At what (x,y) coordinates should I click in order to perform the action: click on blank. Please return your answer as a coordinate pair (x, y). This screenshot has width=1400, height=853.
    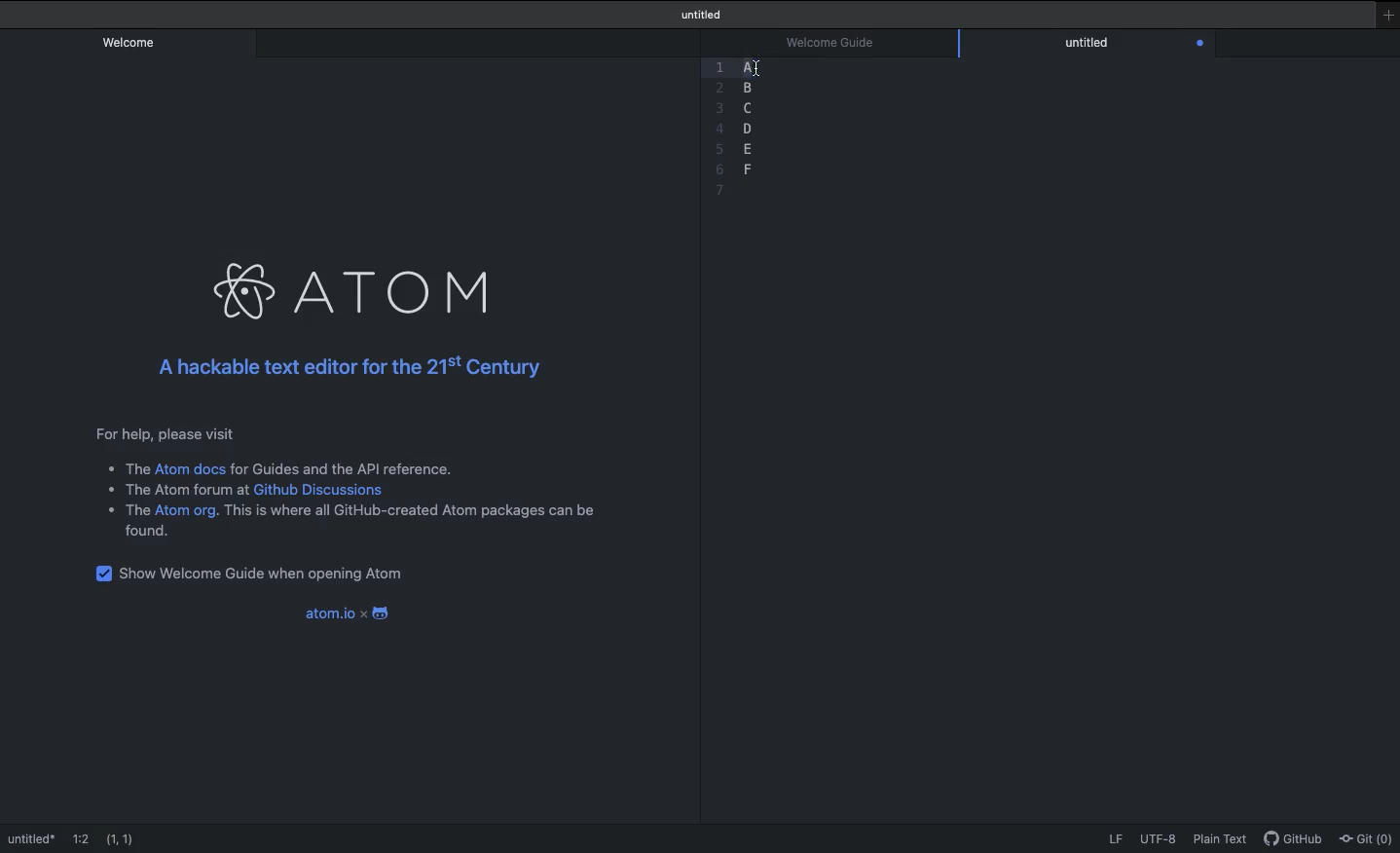
    Looking at the image, I should click on (754, 187).